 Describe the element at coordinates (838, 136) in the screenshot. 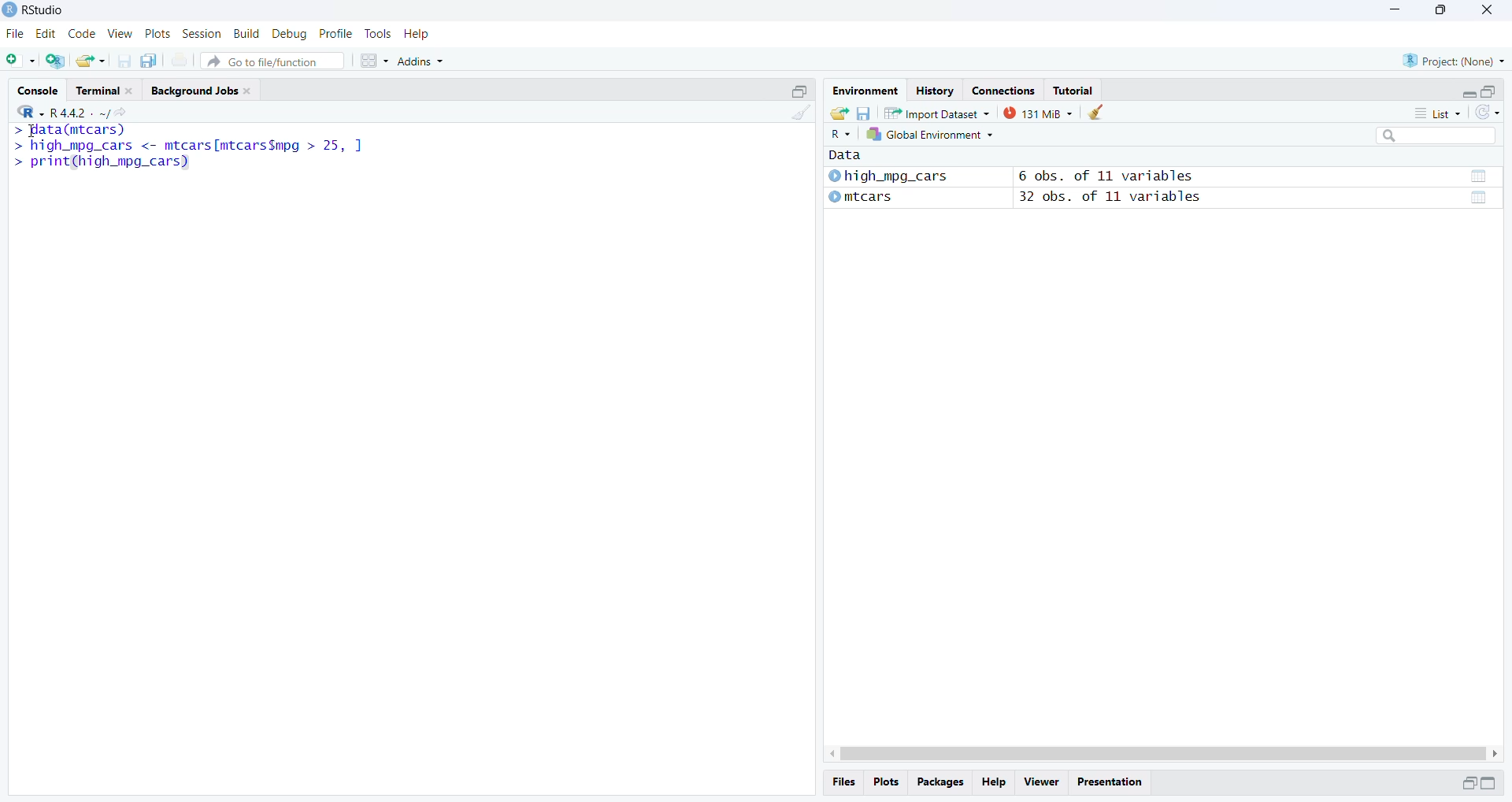

I see `R` at that location.